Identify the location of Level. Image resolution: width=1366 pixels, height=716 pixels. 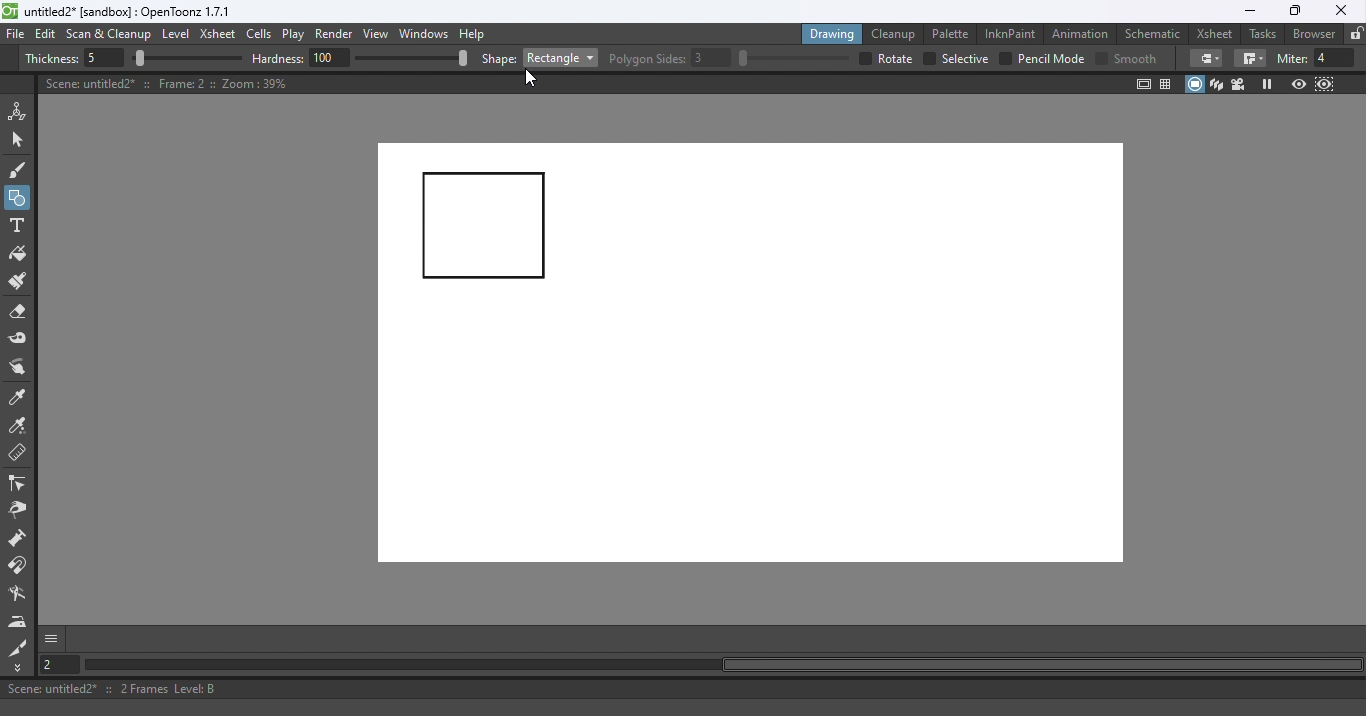
(176, 35).